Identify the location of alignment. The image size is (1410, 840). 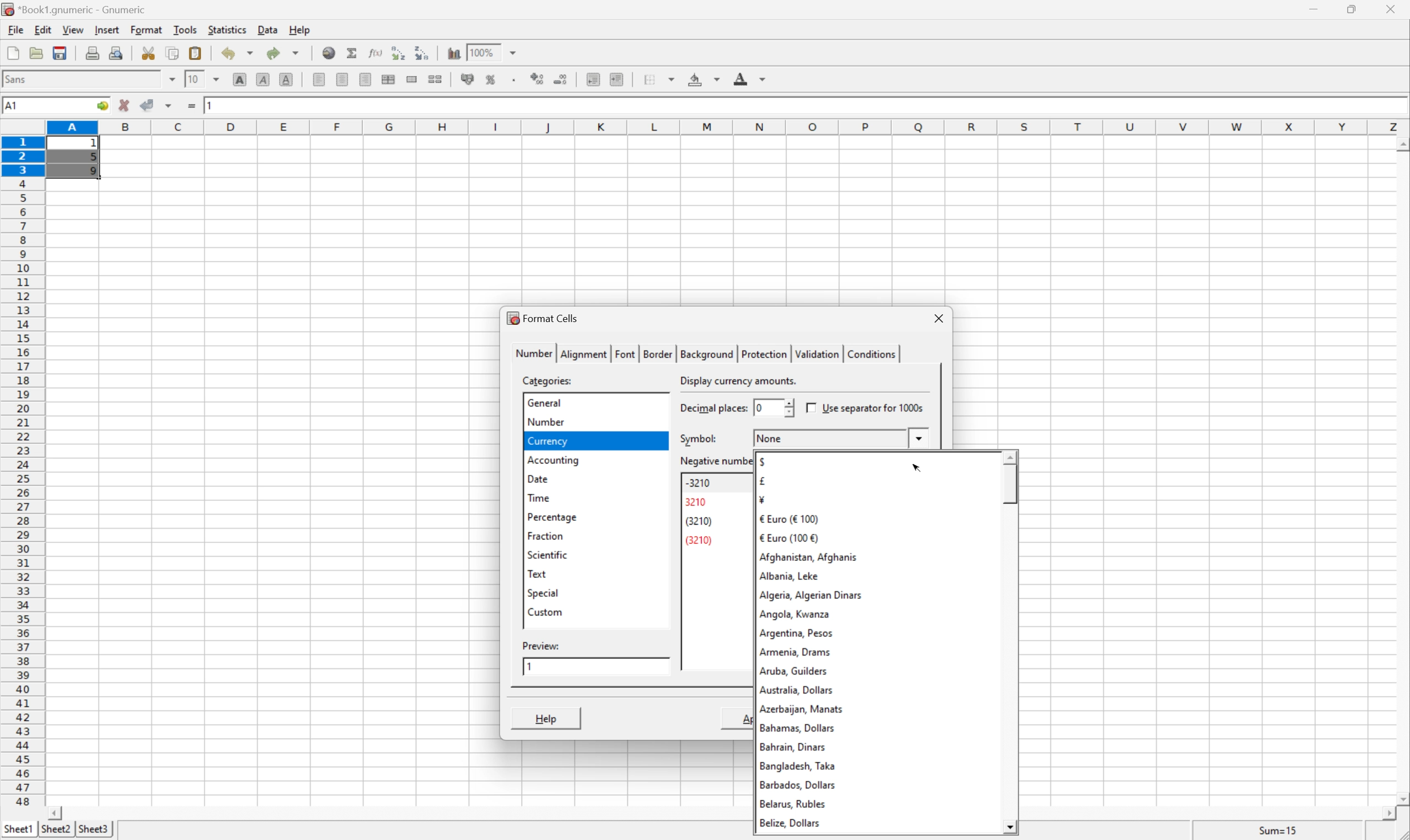
(584, 353).